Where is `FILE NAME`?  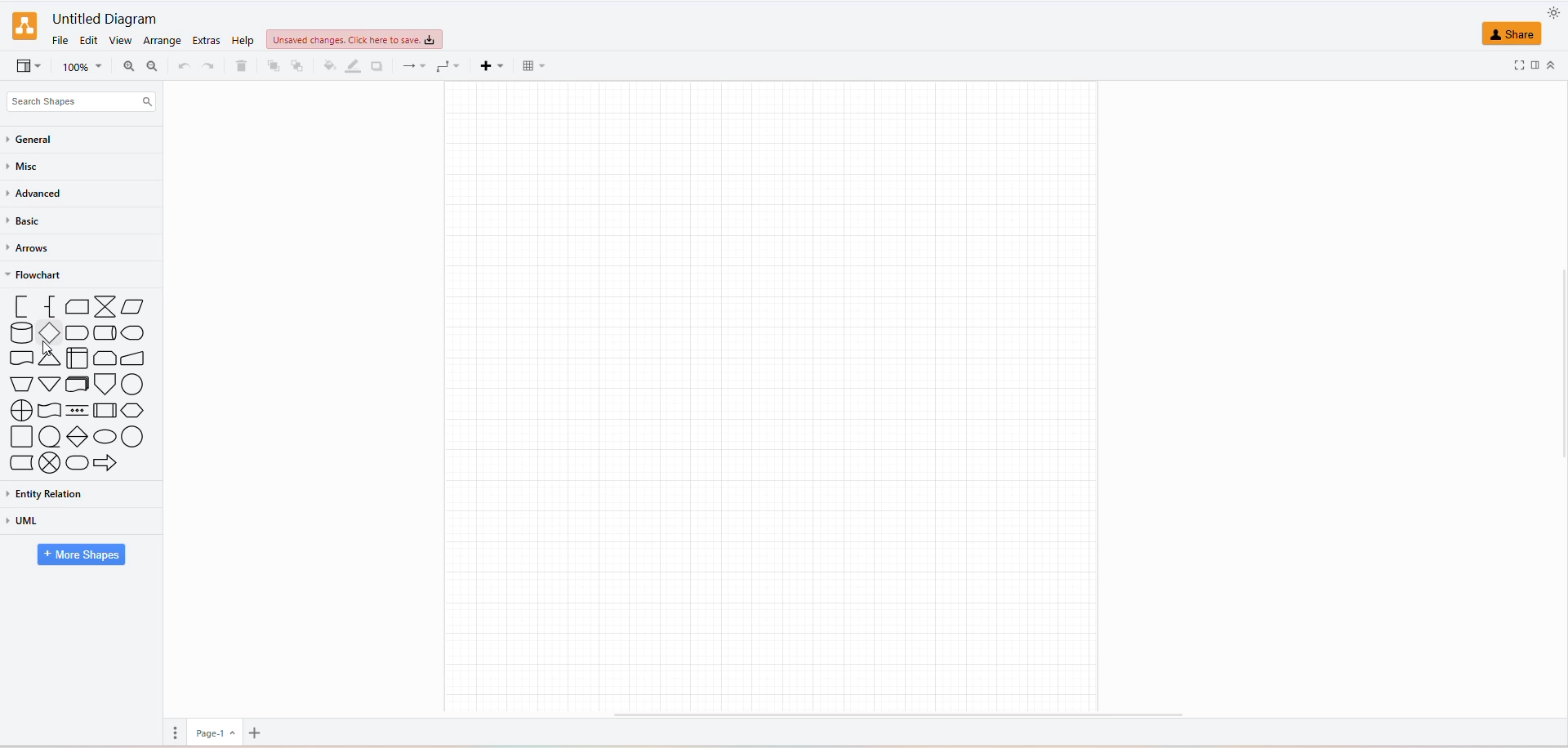
FILE NAME is located at coordinates (101, 16).